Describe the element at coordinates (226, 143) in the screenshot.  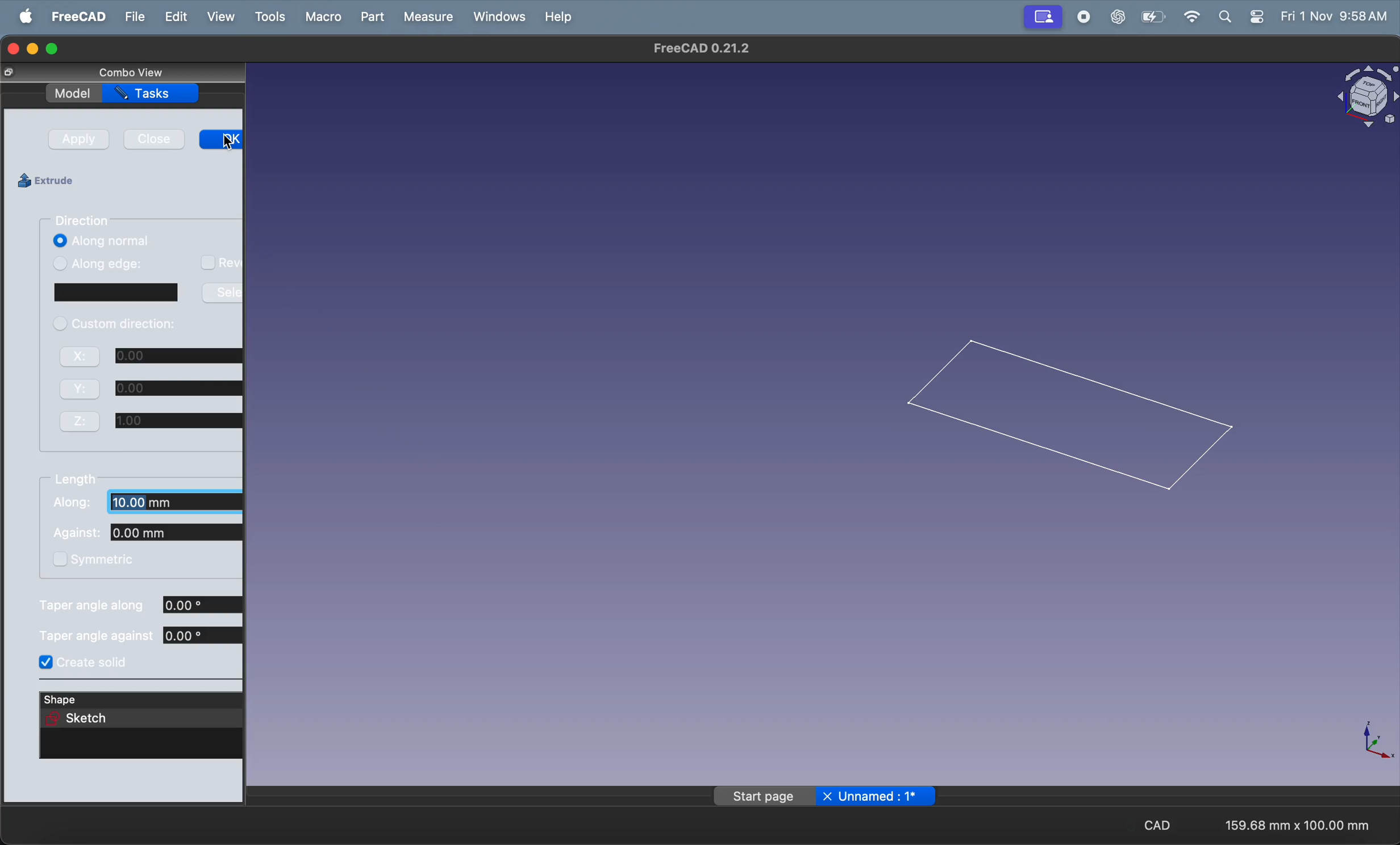
I see `Cursor` at that location.